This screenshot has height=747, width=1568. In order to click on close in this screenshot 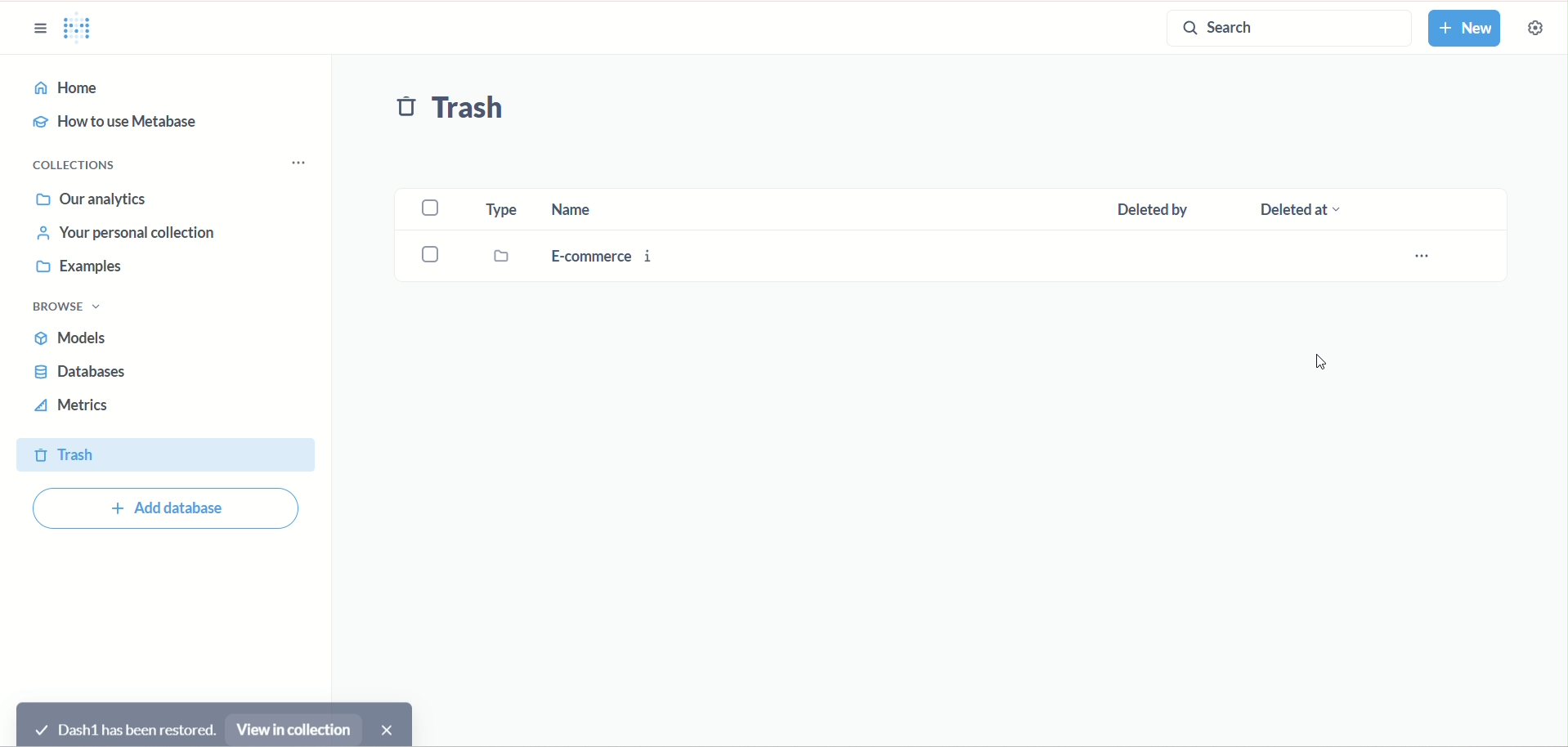, I will do `click(392, 725)`.